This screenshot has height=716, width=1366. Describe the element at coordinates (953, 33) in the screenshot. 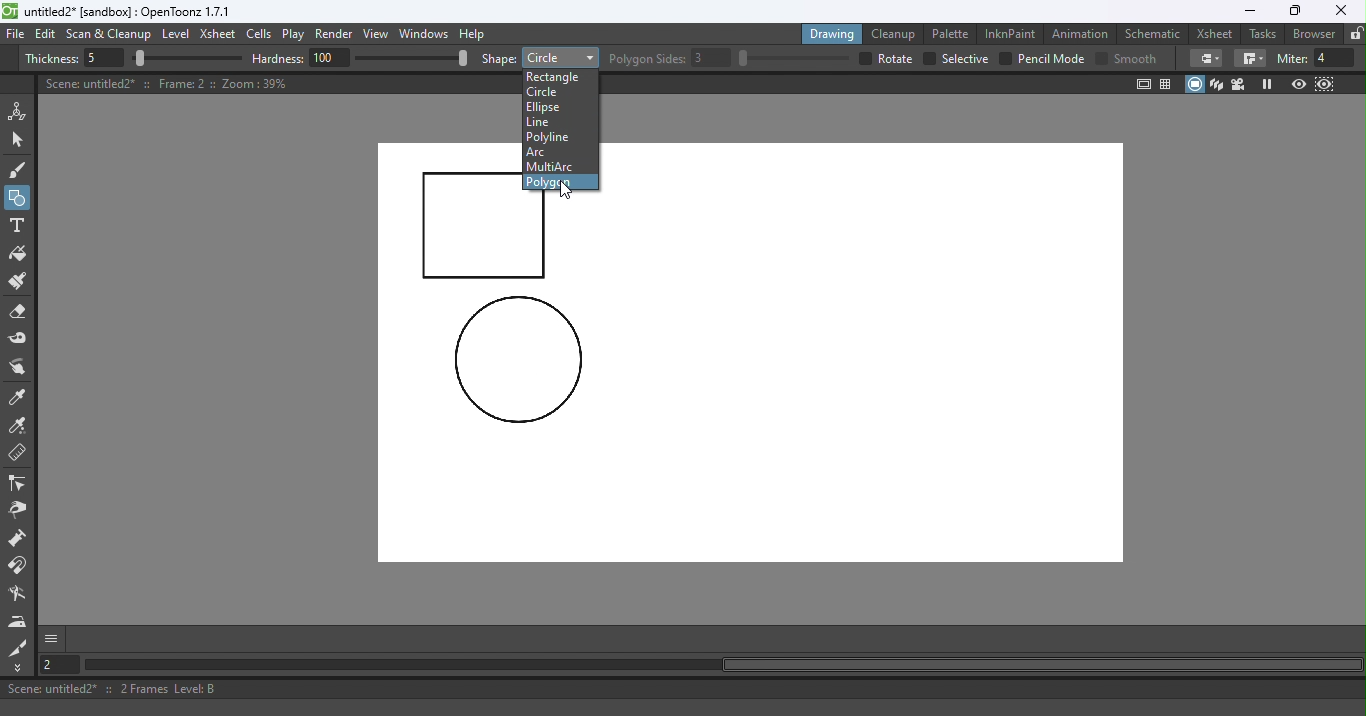

I see `Palette` at that location.